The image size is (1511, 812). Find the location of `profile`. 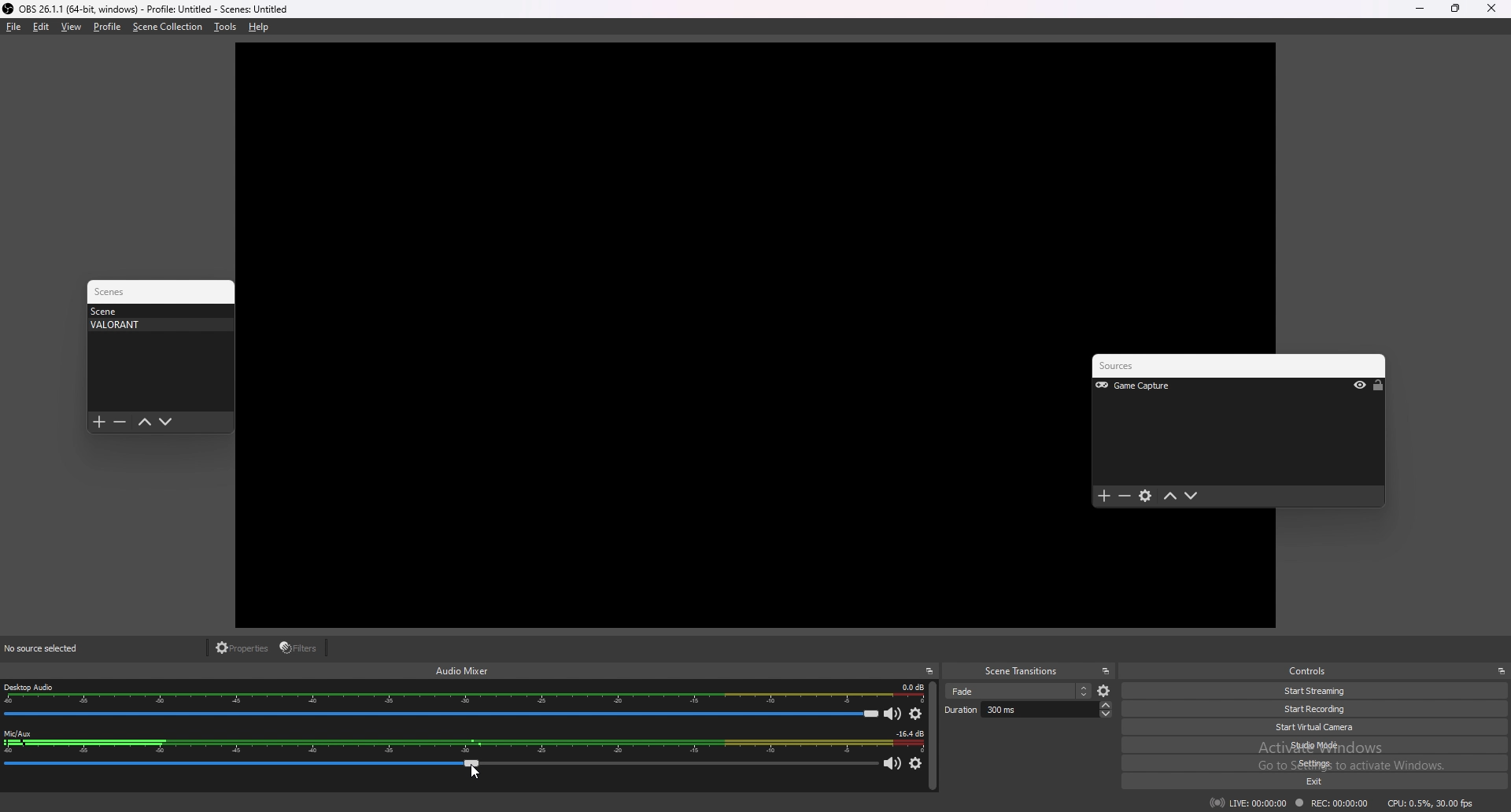

profile is located at coordinates (107, 27).